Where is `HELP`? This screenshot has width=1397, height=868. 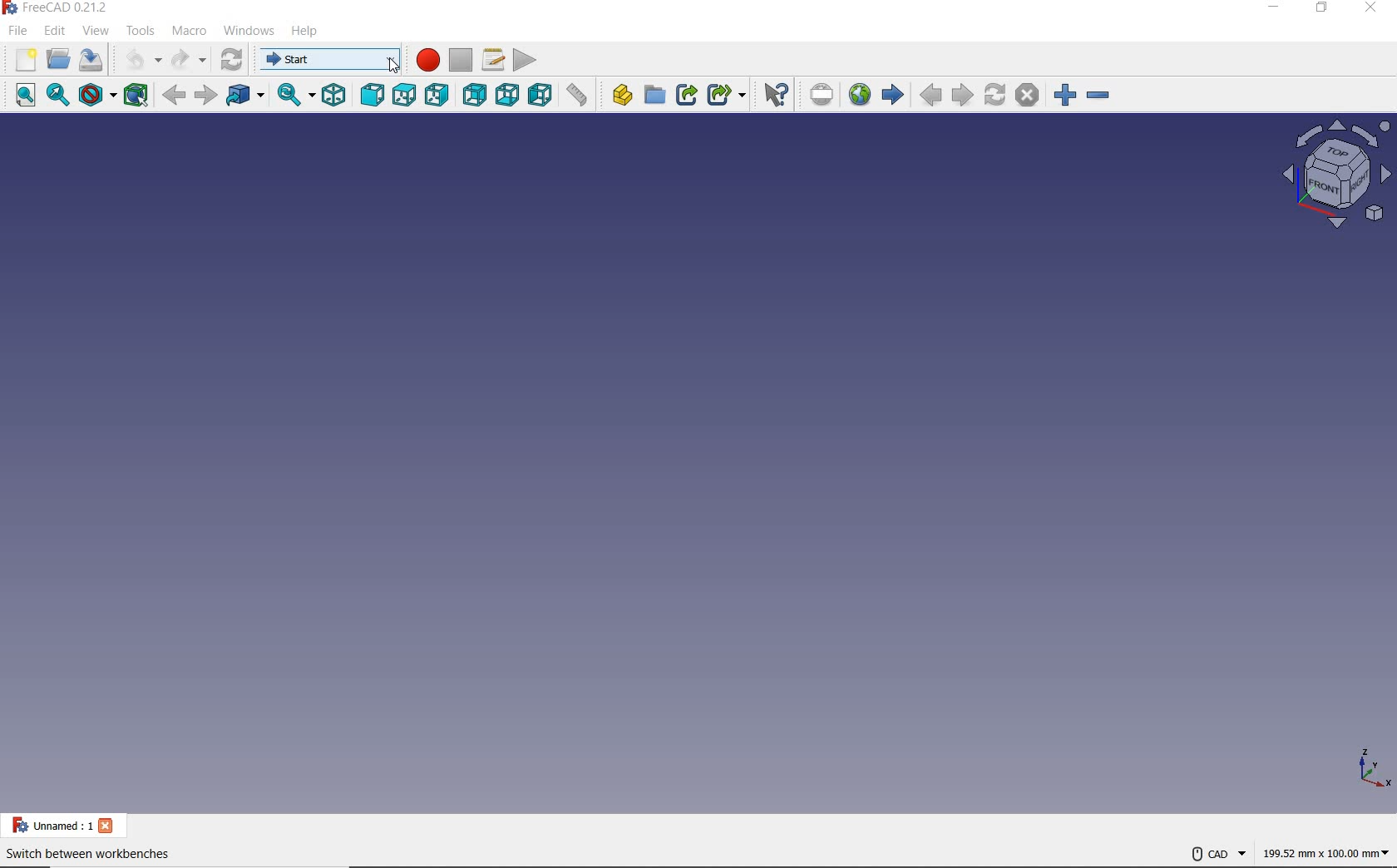 HELP is located at coordinates (307, 31).